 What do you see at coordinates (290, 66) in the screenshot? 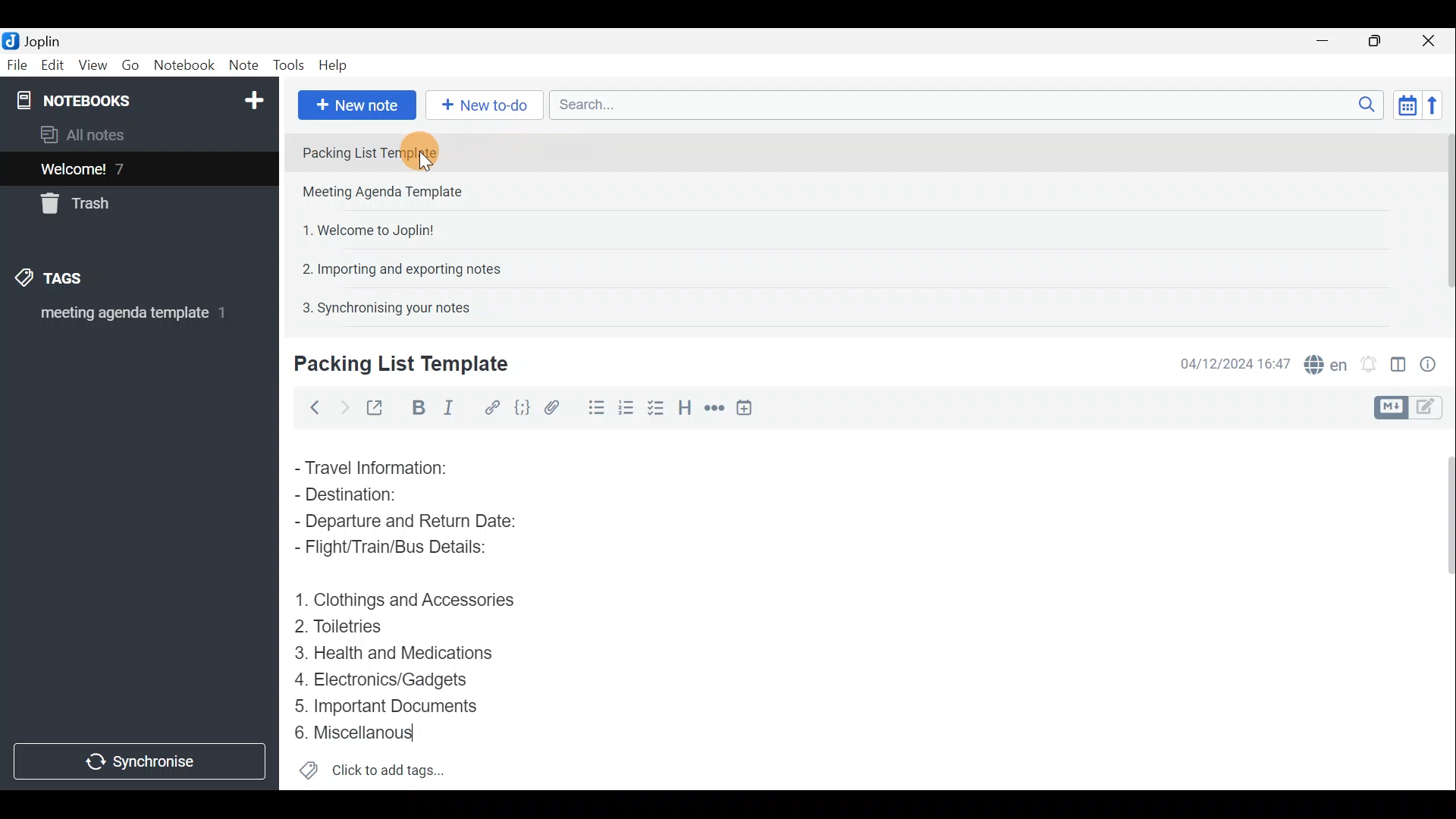
I see `Tools` at bounding box center [290, 66].